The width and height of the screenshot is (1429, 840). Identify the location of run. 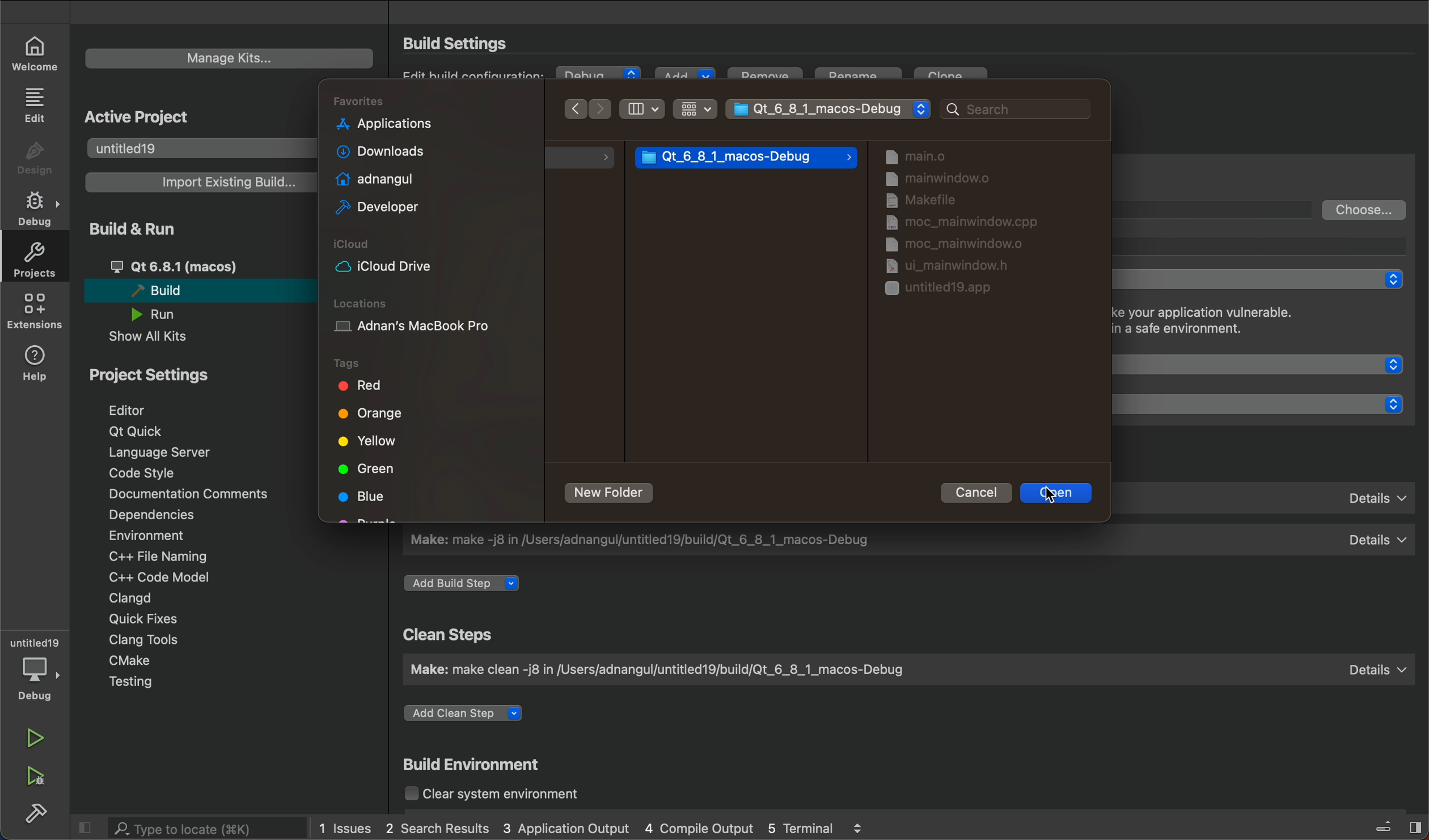
(164, 314).